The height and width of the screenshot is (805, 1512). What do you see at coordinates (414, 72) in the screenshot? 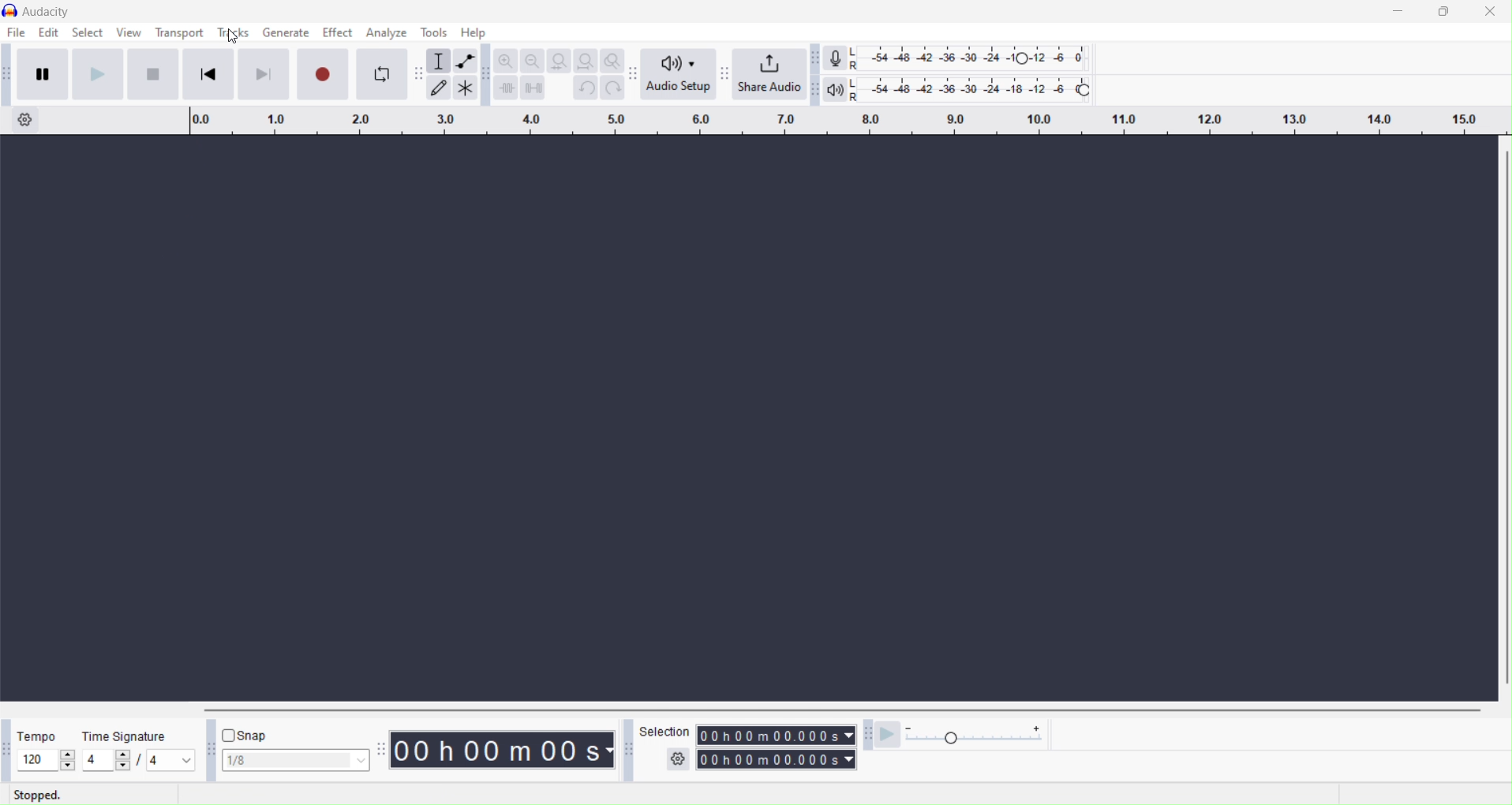
I see `Draw tool` at bounding box center [414, 72].